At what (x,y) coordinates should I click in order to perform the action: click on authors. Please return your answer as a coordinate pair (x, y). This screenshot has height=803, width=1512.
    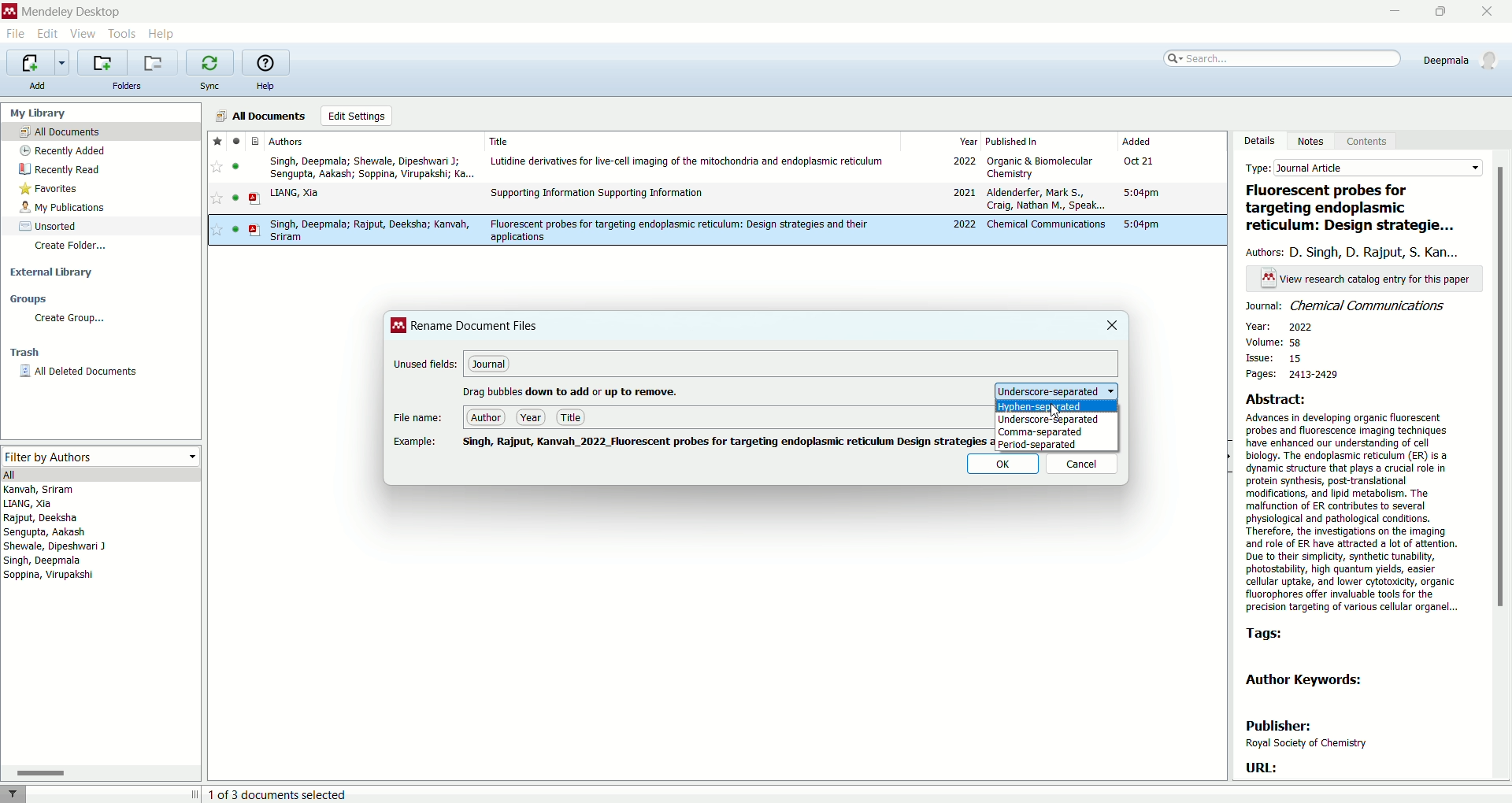
    Looking at the image, I should click on (1358, 253).